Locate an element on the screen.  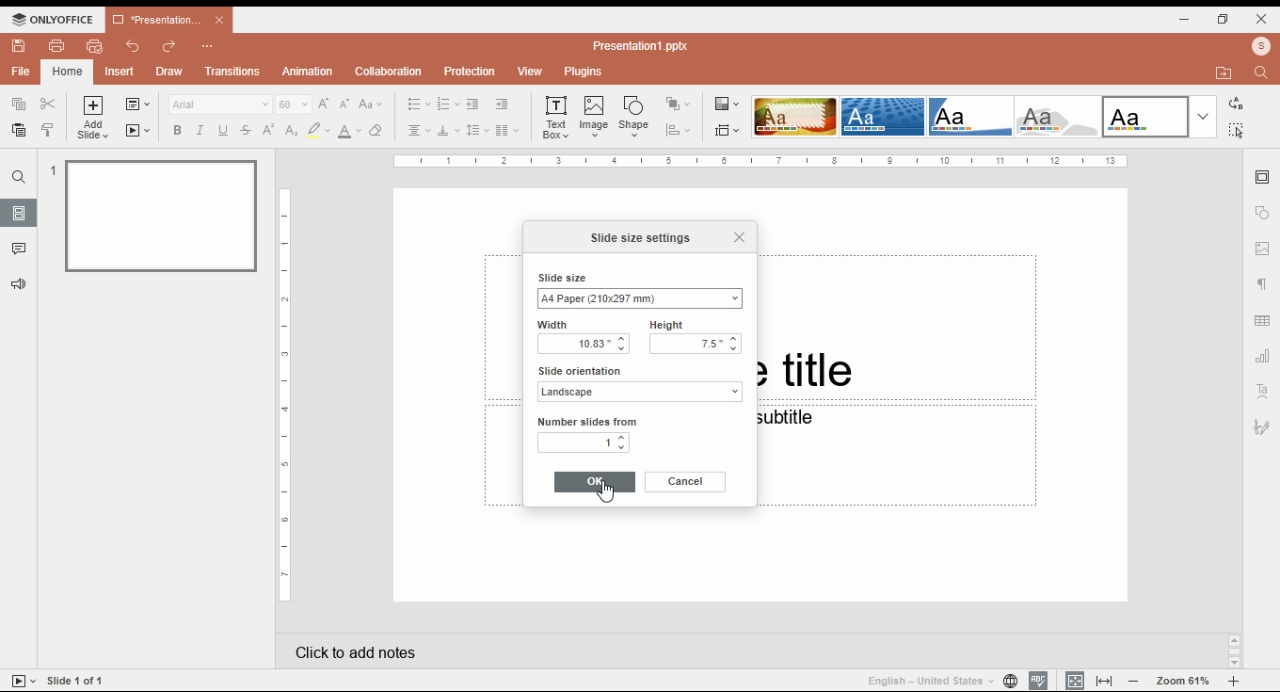
zoom out is located at coordinates (1134, 680).